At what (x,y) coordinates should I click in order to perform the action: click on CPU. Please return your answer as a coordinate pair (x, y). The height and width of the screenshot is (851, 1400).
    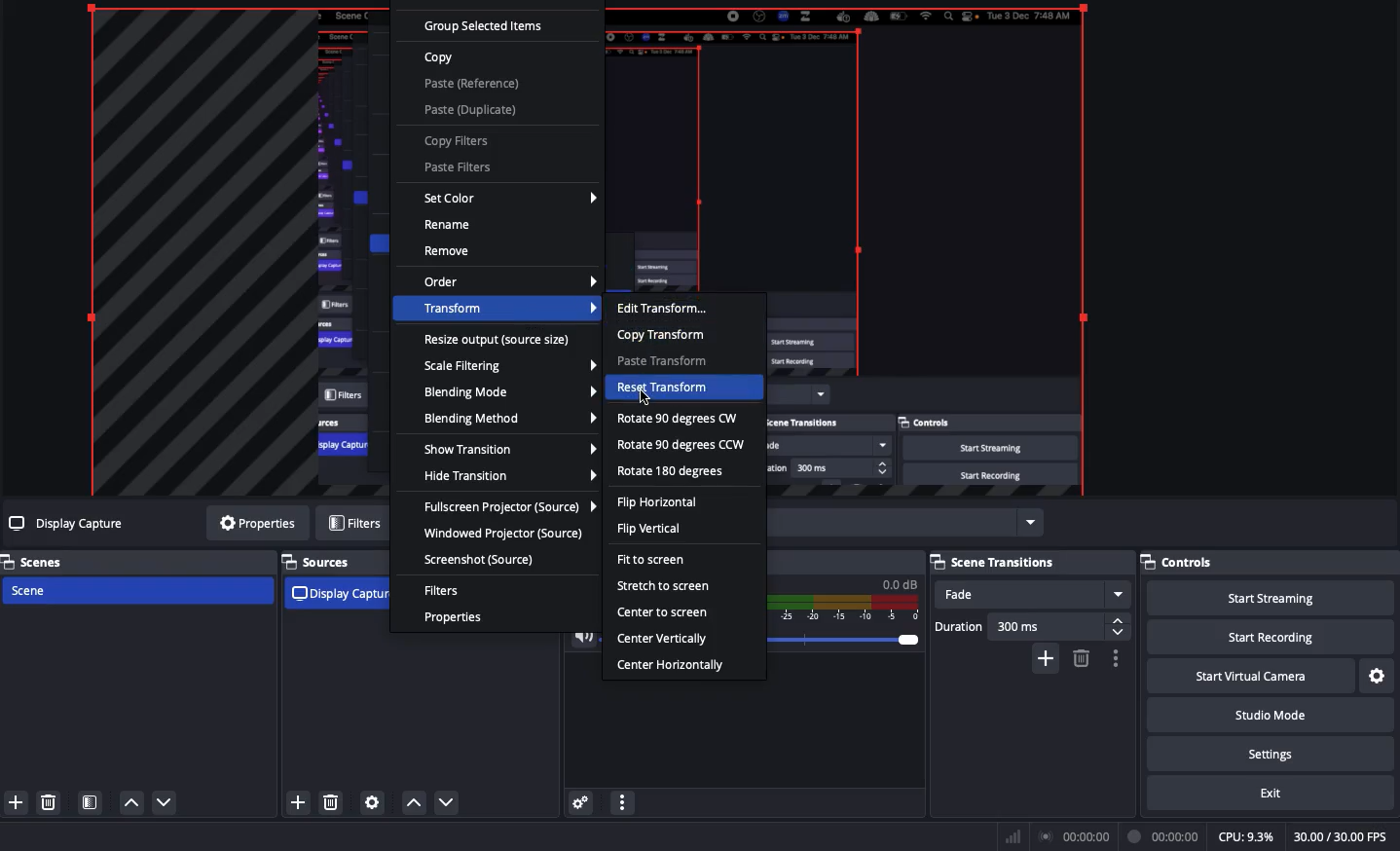
    Looking at the image, I should click on (1248, 837).